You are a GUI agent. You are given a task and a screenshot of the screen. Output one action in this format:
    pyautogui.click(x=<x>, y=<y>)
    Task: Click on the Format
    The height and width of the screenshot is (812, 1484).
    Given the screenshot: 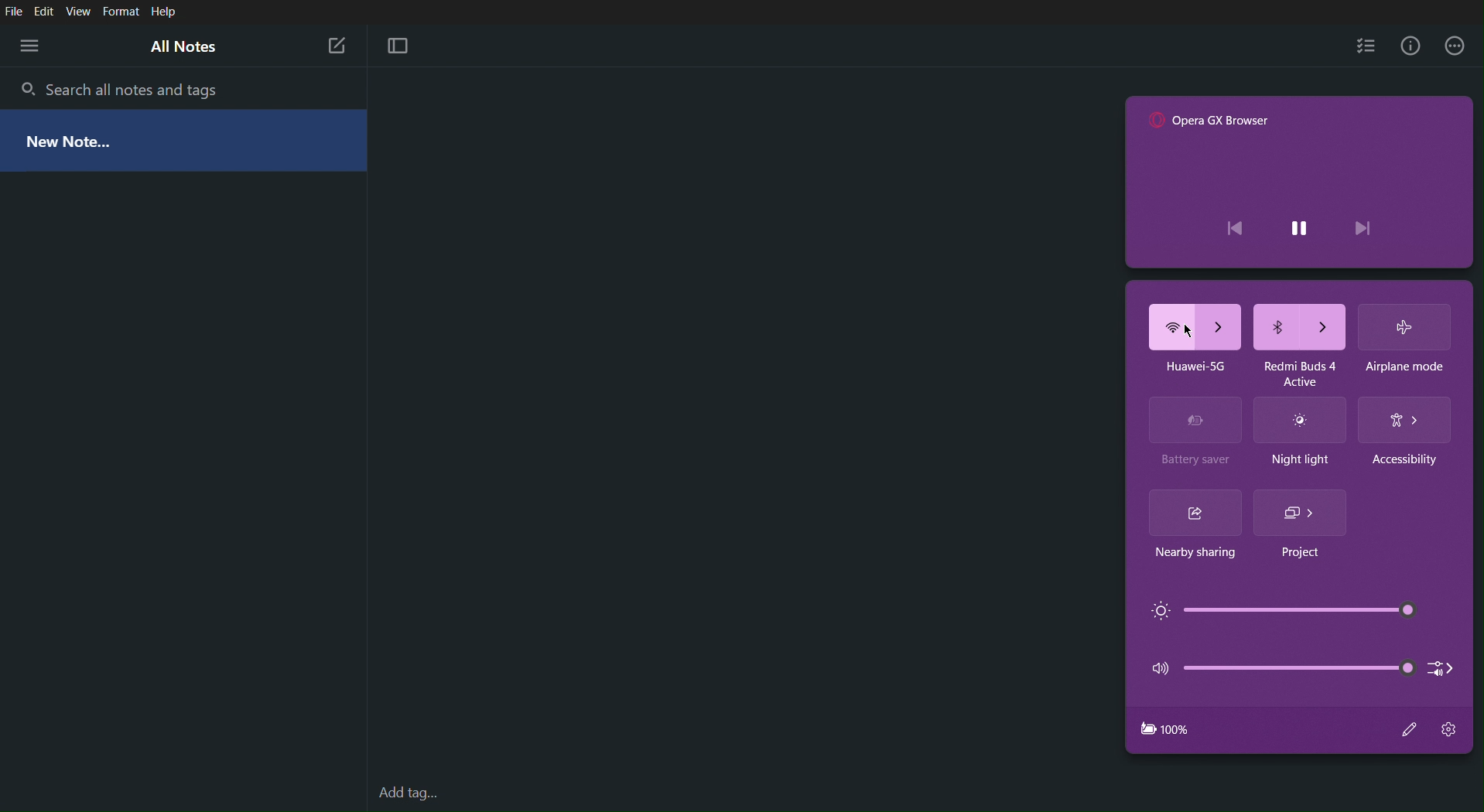 What is the action you would take?
    pyautogui.click(x=119, y=12)
    